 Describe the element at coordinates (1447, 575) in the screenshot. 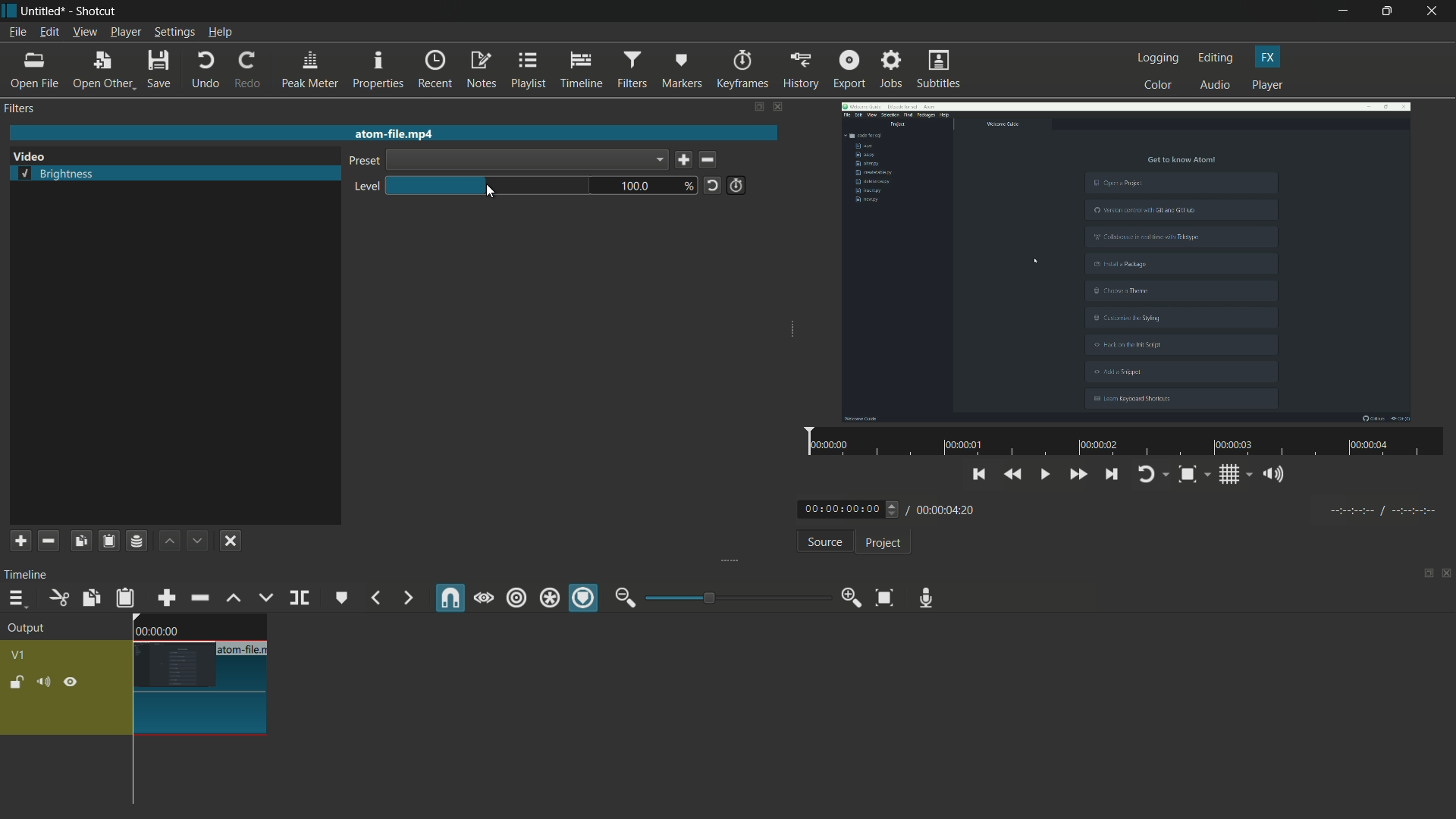

I see `close panel` at that location.